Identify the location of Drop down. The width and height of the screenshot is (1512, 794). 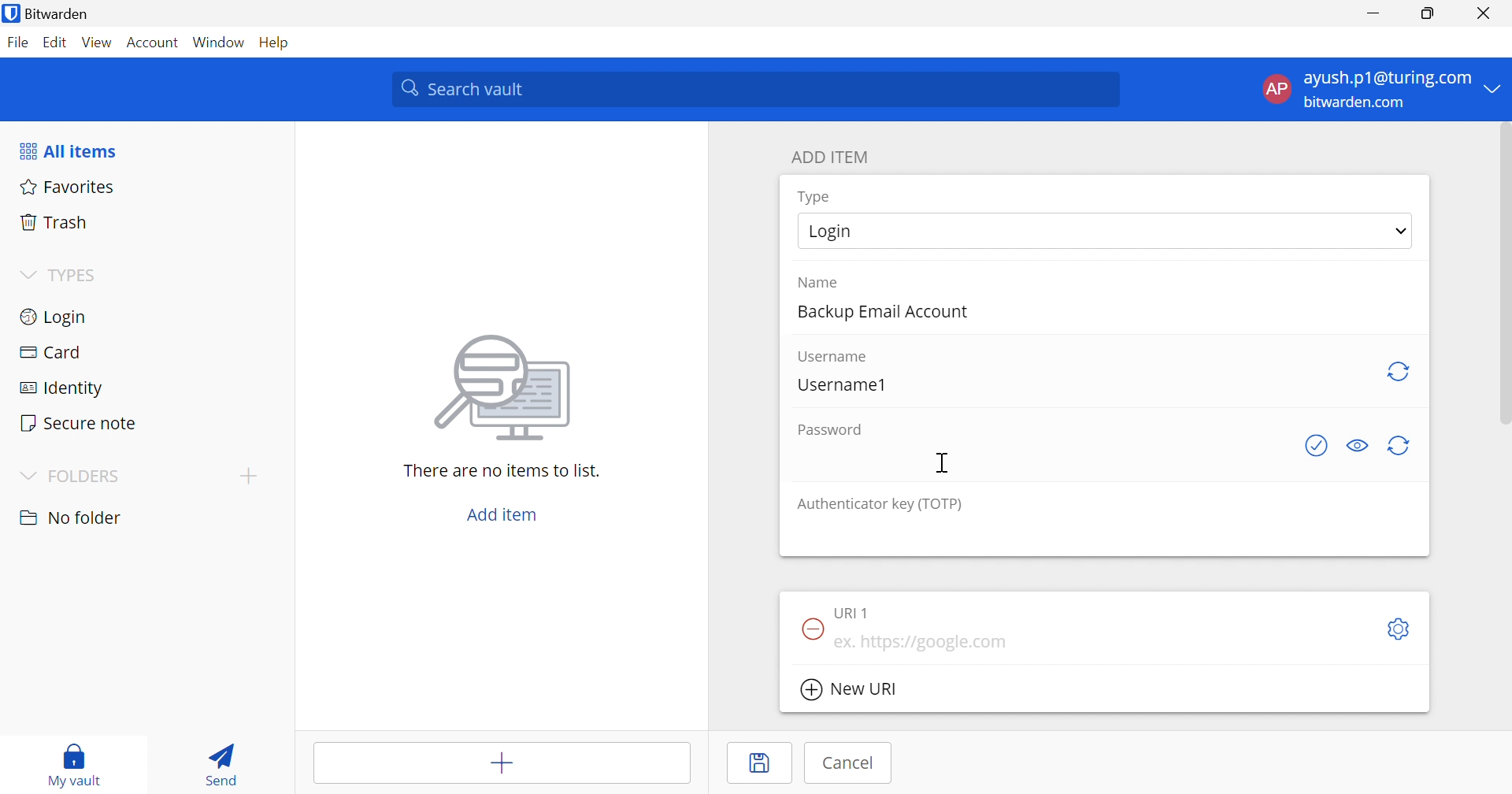
(1401, 231).